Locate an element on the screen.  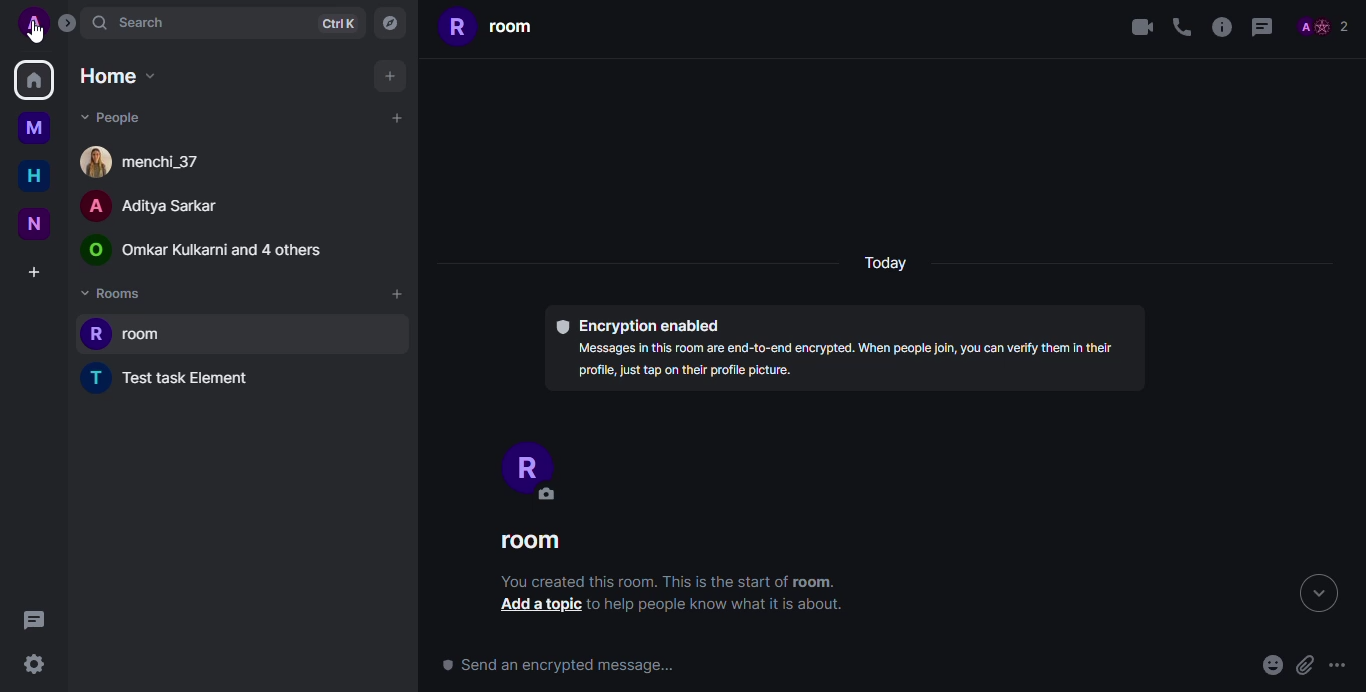
info is located at coordinates (1221, 28).